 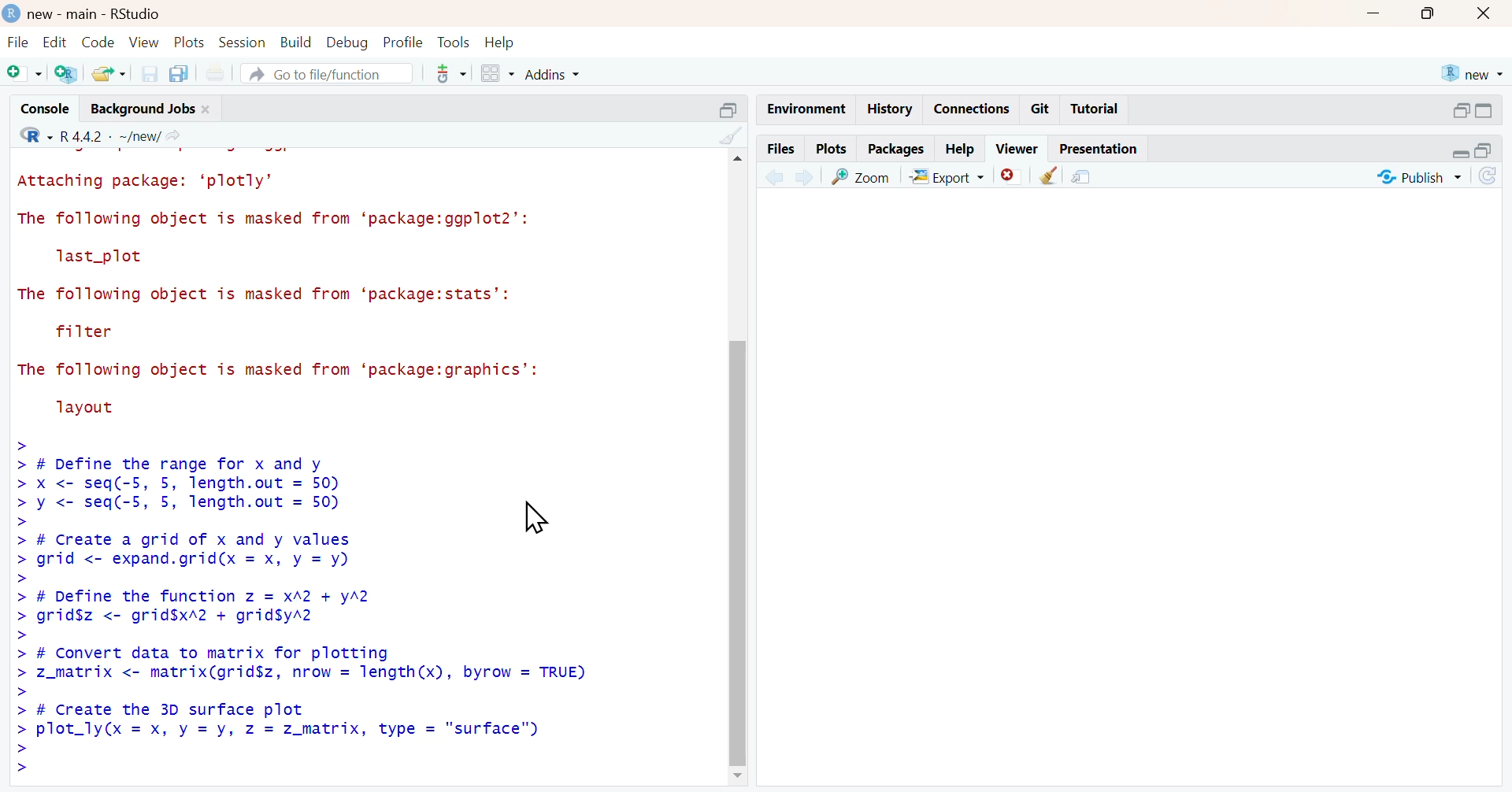 I want to click on > # Create a grid of x and y values, so click(x=185, y=540).